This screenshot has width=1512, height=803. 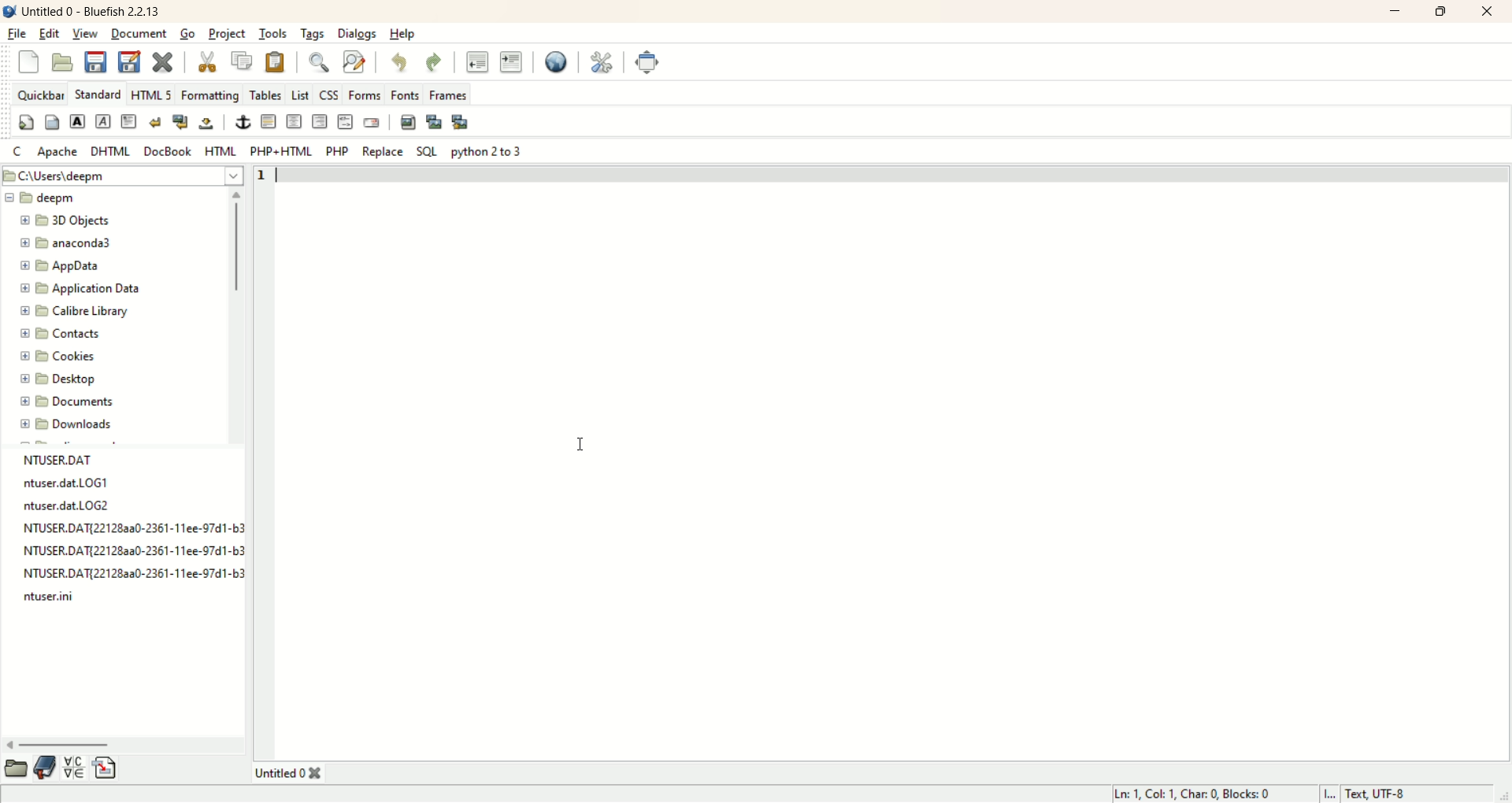 What do you see at coordinates (207, 61) in the screenshot?
I see `cut` at bounding box center [207, 61].